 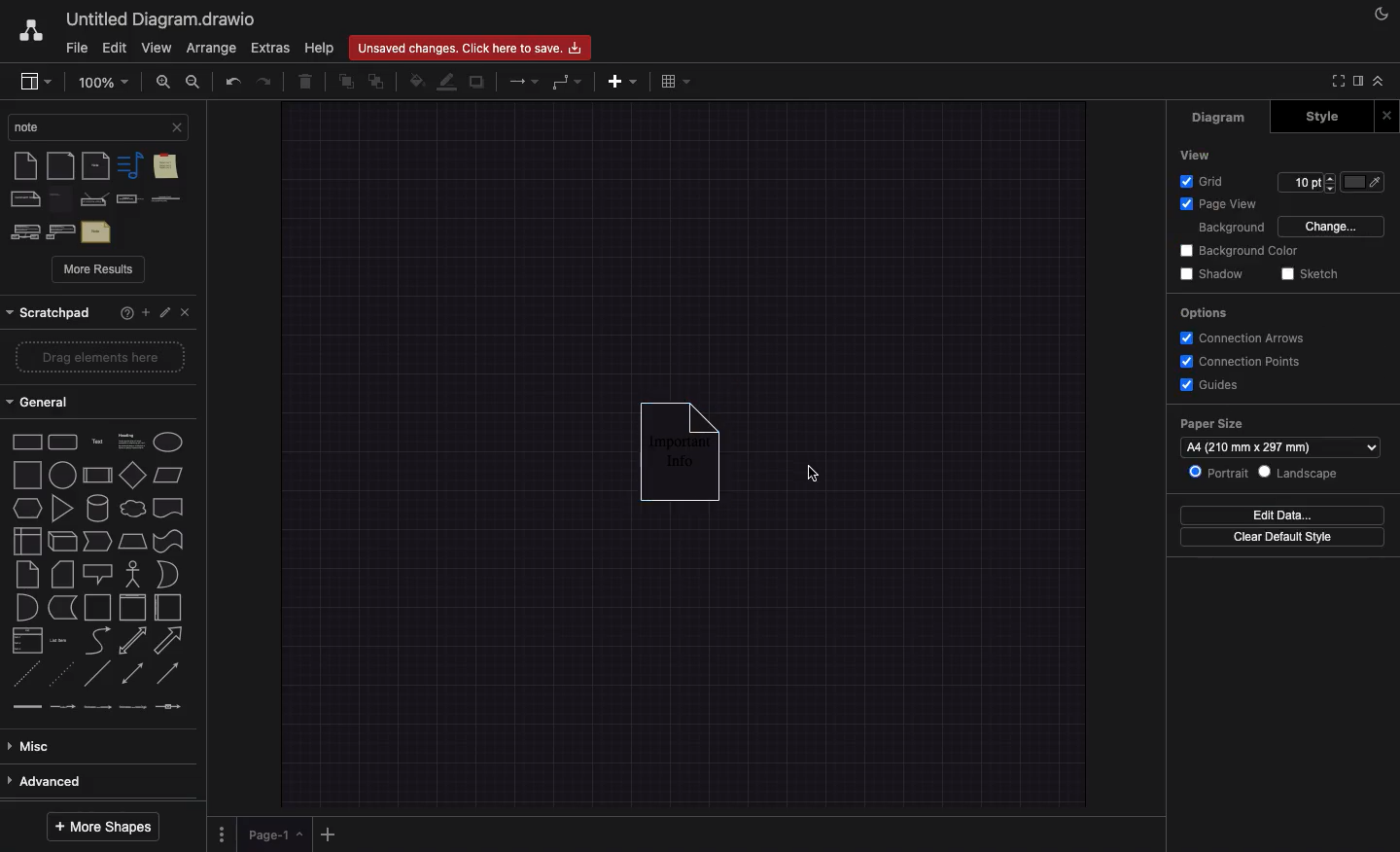 What do you see at coordinates (132, 640) in the screenshot?
I see `bidirectional arrow` at bounding box center [132, 640].